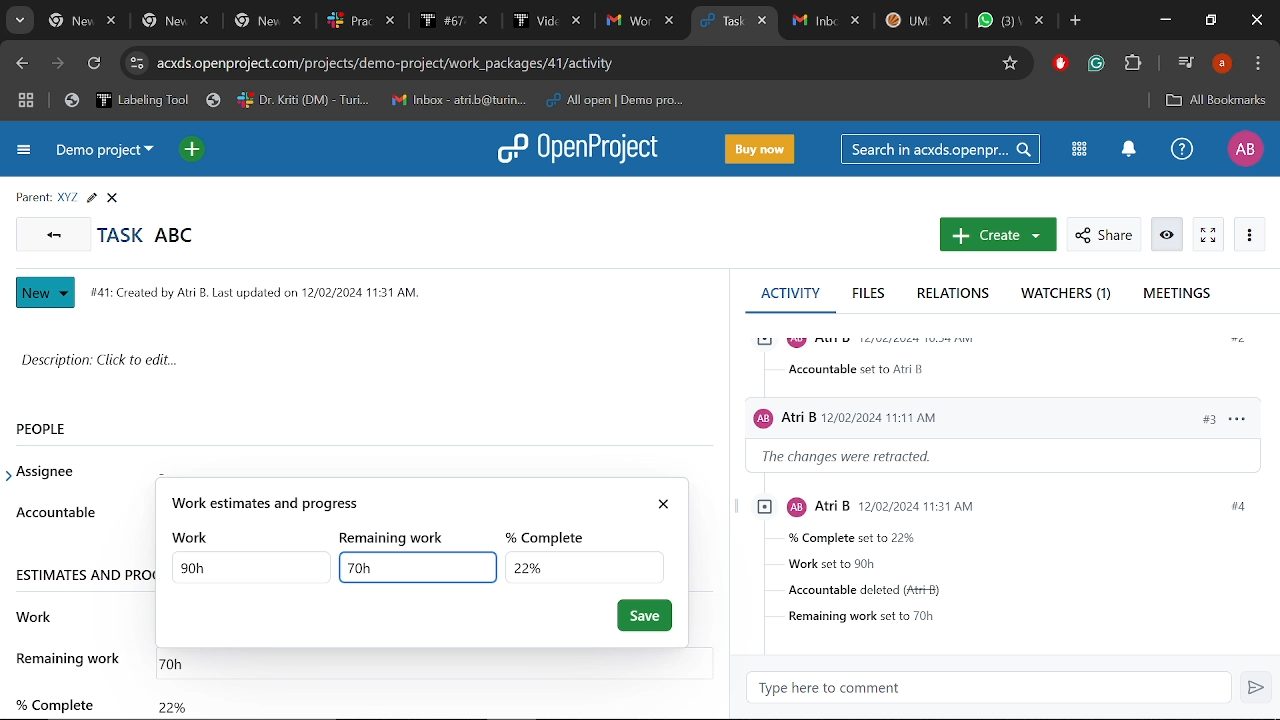 The width and height of the screenshot is (1280, 720). What do you see at coordinates (1098, 66) in the screenshot?
I see `Grmmarly` at bounding box center [1098, 66].